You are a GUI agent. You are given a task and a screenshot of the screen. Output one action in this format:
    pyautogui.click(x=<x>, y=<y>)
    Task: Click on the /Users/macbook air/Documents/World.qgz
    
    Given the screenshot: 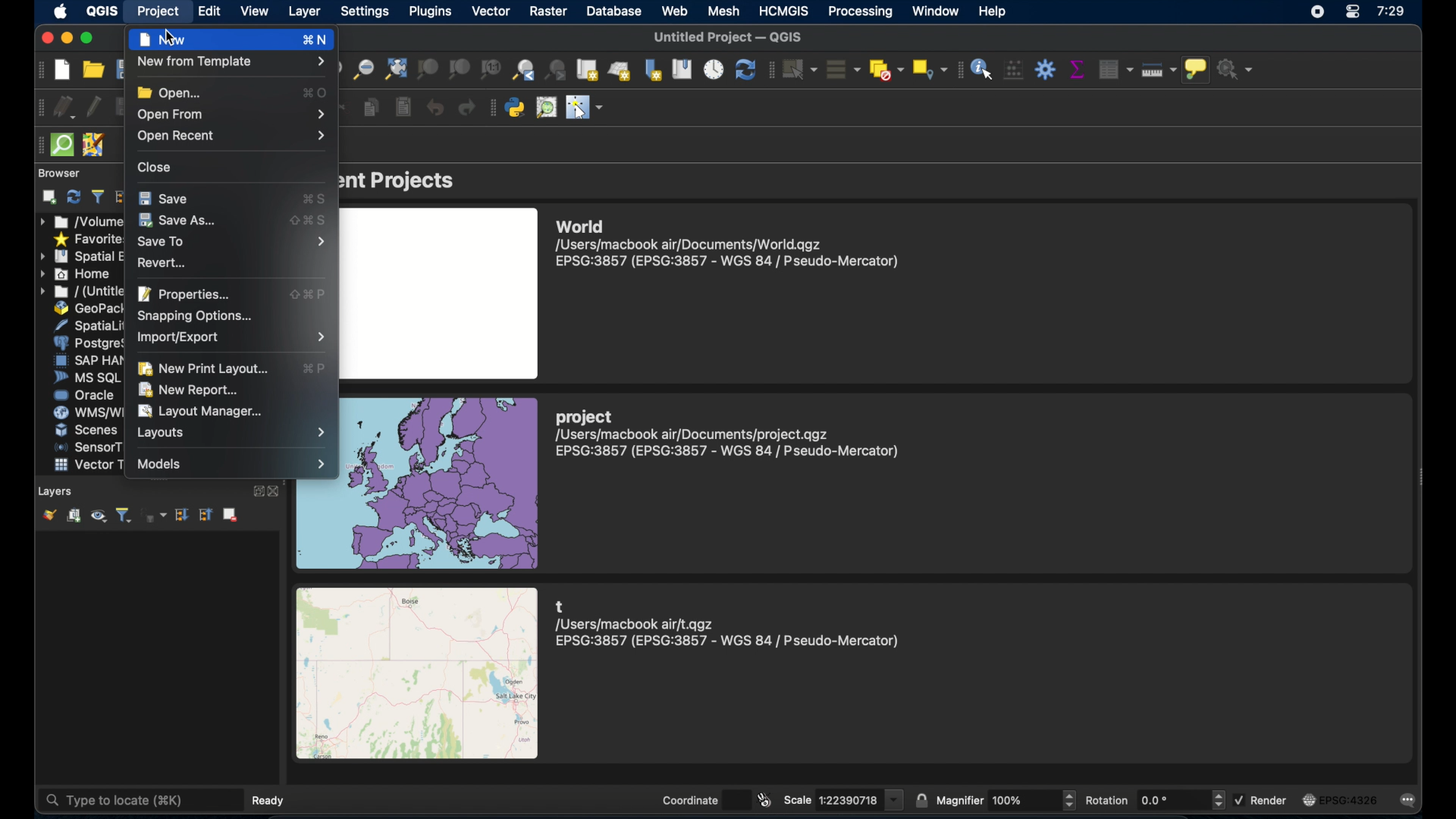 What is the action you would take?
    pyautogui.click(x=692, y=244)
    